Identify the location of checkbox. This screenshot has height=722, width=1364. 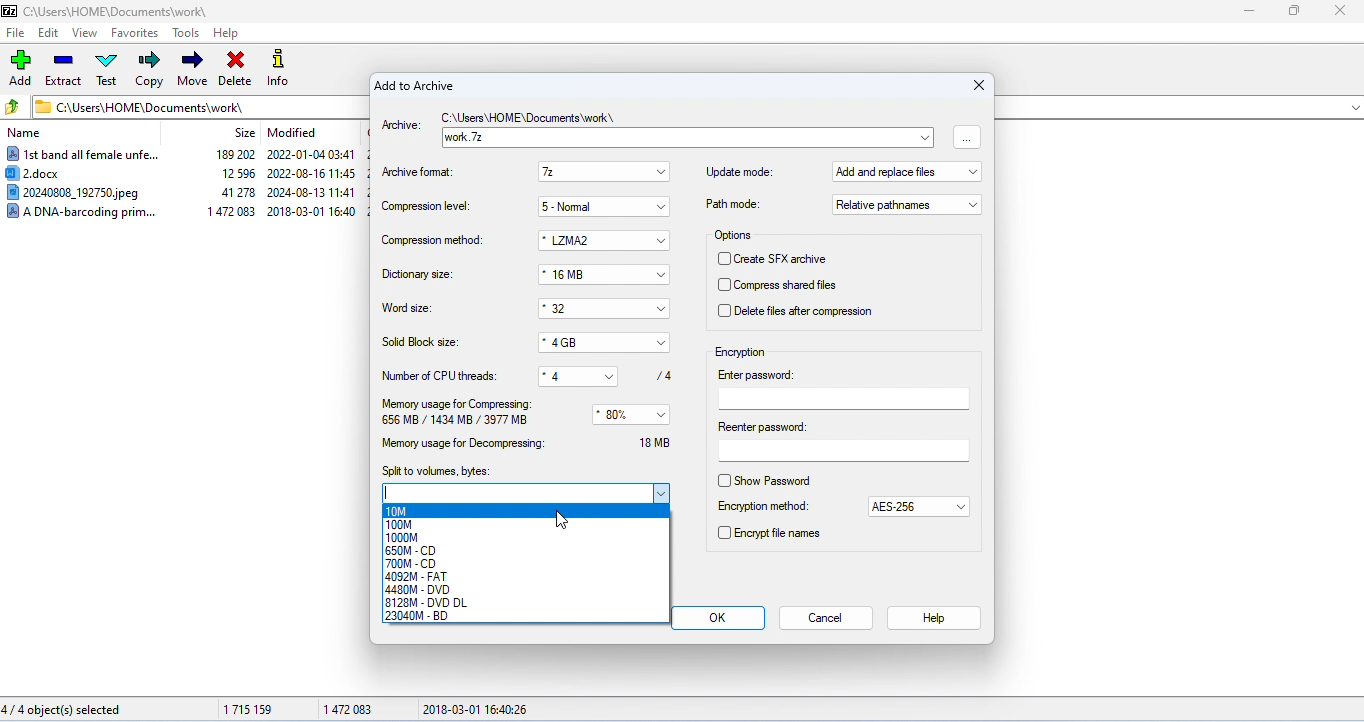
(723, 286).